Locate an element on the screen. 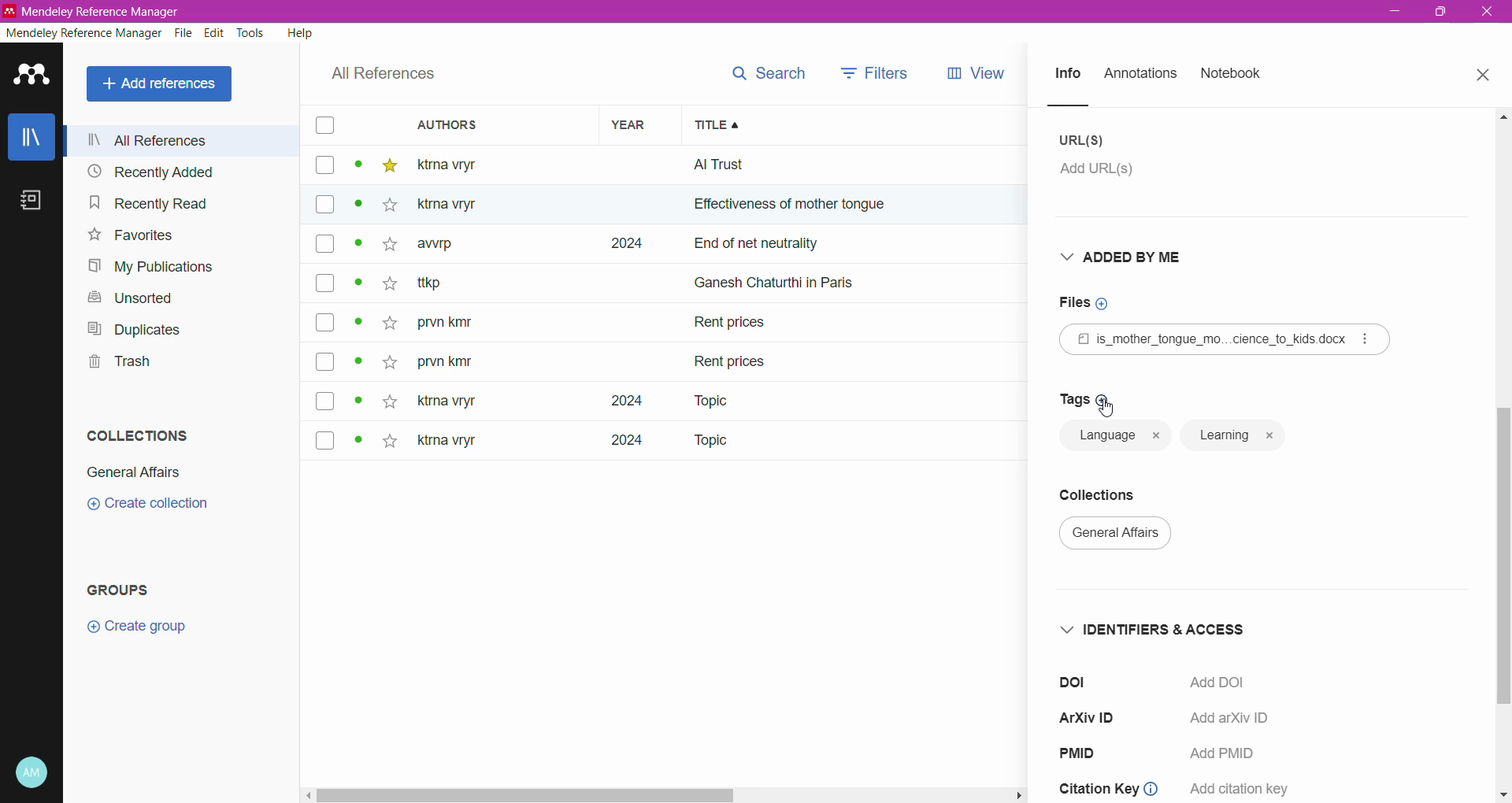  Click to add Tags is located at coordinates (1080, 399).